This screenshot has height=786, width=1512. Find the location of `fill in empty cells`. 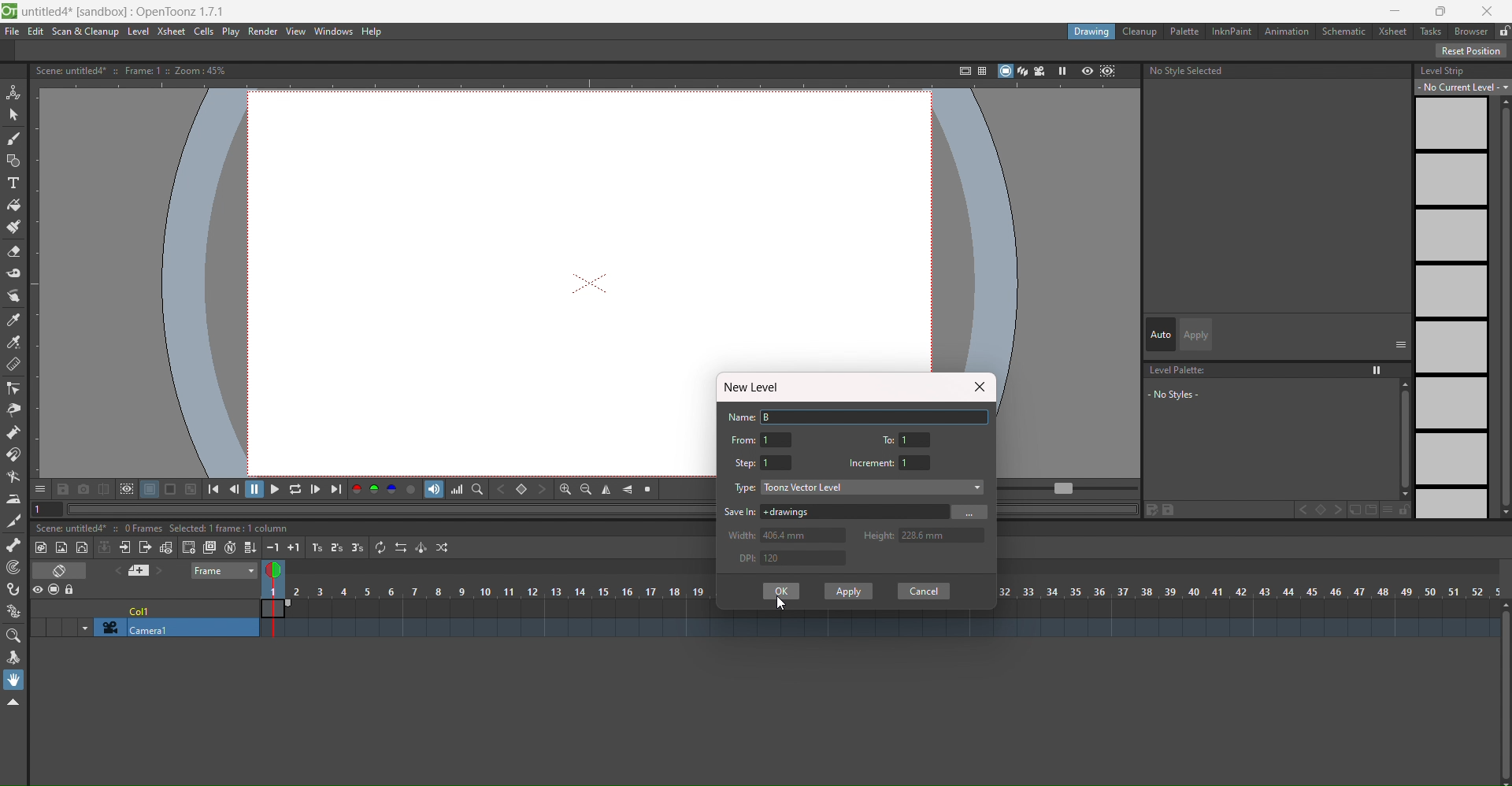

fill in empty cells is located at coordinates (250, 546).